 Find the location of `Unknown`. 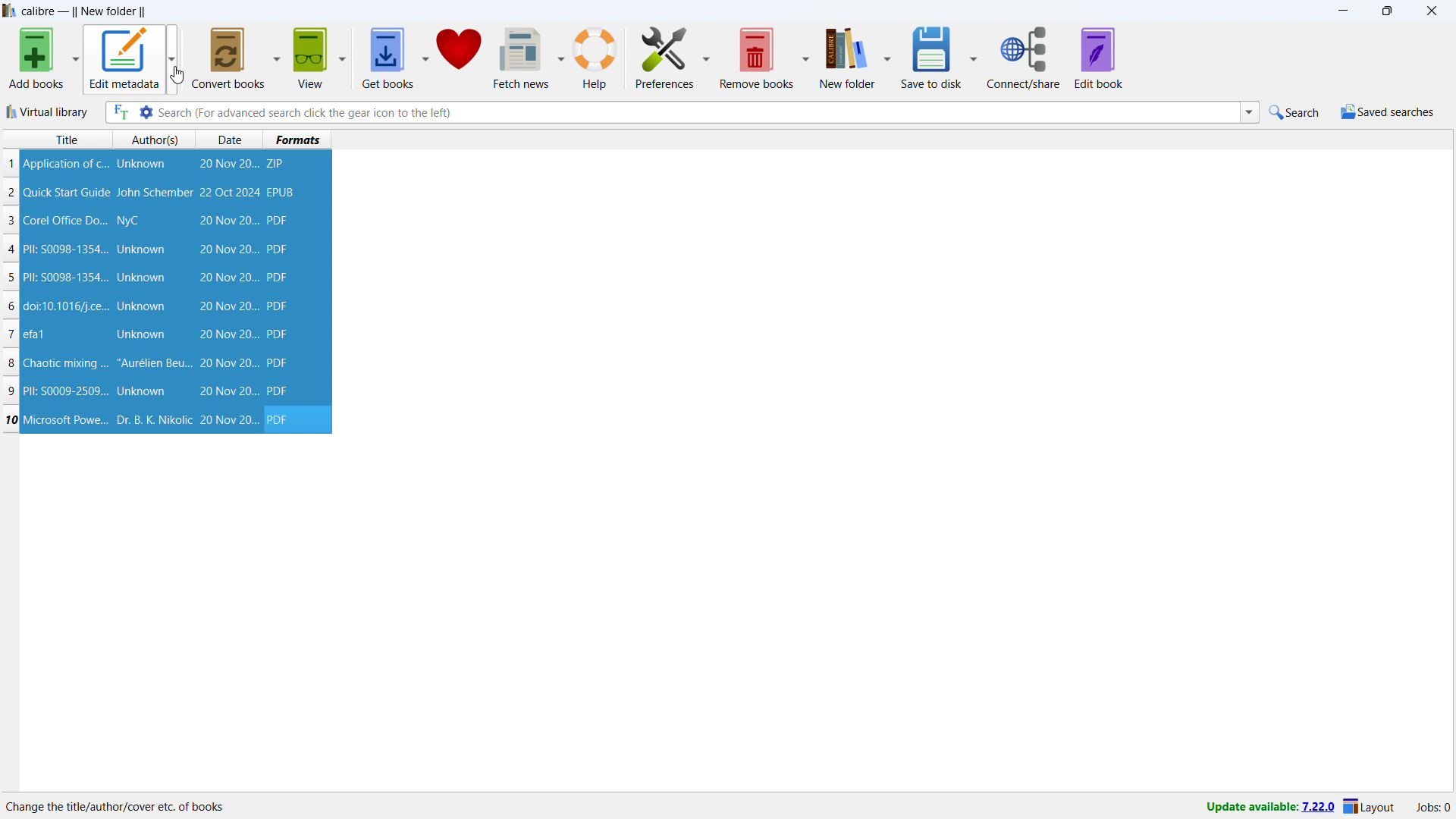

Unknown is located at coordinates (141, 278).